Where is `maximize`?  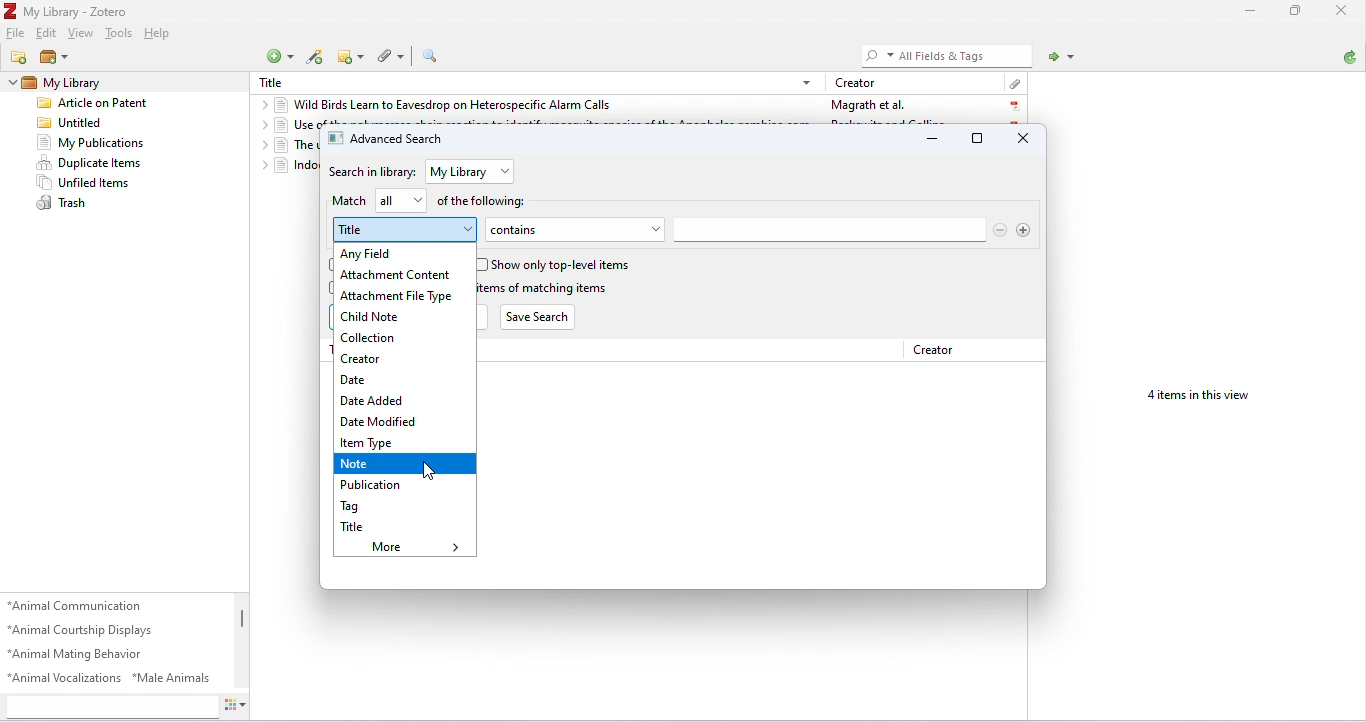
maximize is located at coordinates (979, 138).